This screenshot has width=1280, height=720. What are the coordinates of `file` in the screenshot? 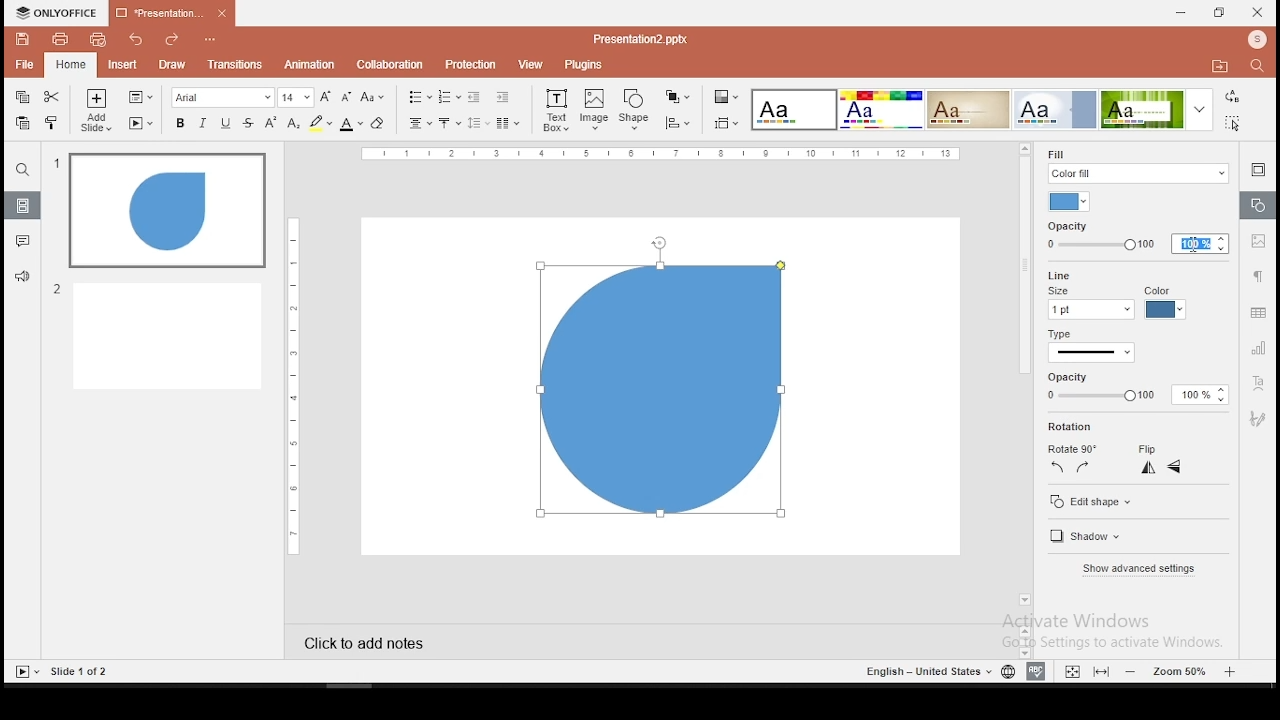 It's located at (24, 64).